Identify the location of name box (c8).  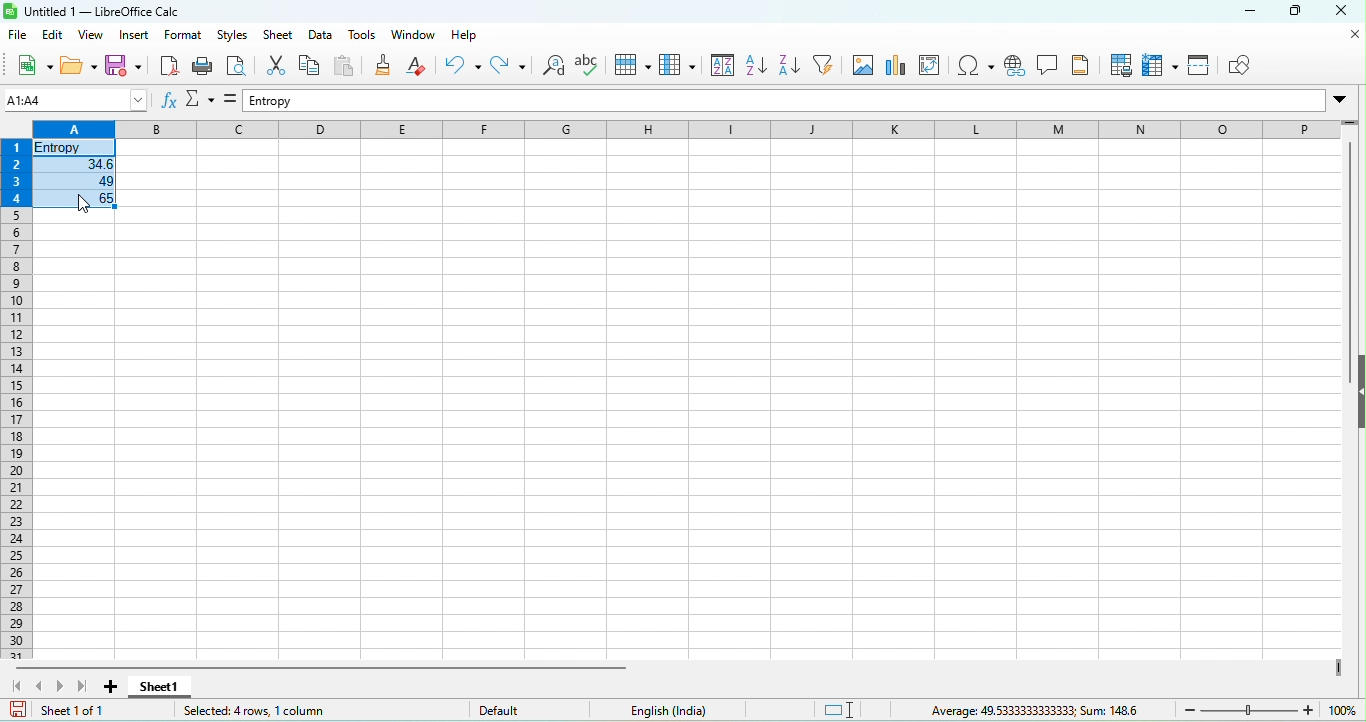
(73, 99).